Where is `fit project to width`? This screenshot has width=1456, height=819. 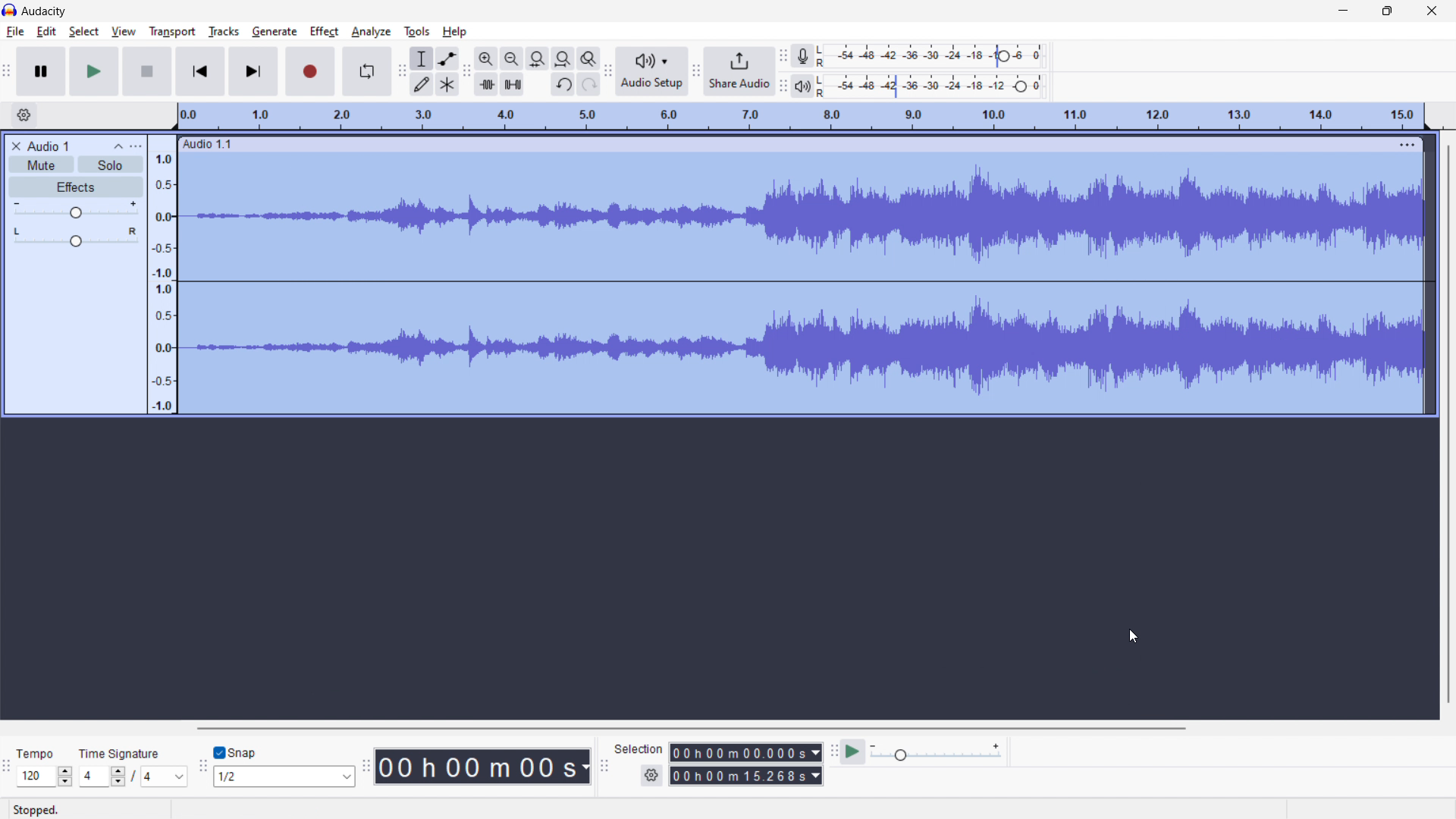 fit project to width is located at coordinates (563, 58).